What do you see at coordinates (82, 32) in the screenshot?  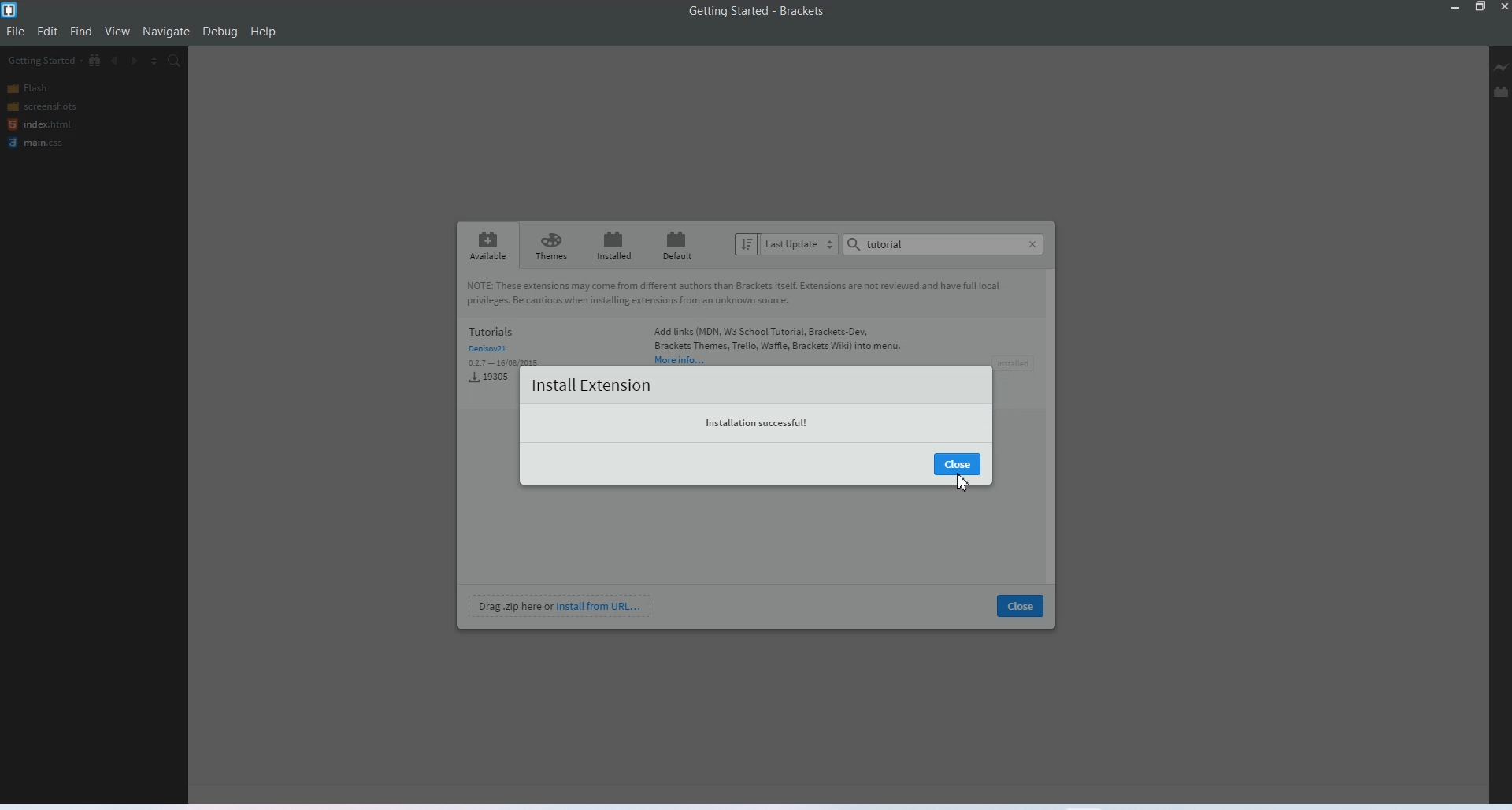 I see `Find` at bounding box center [82, 32].